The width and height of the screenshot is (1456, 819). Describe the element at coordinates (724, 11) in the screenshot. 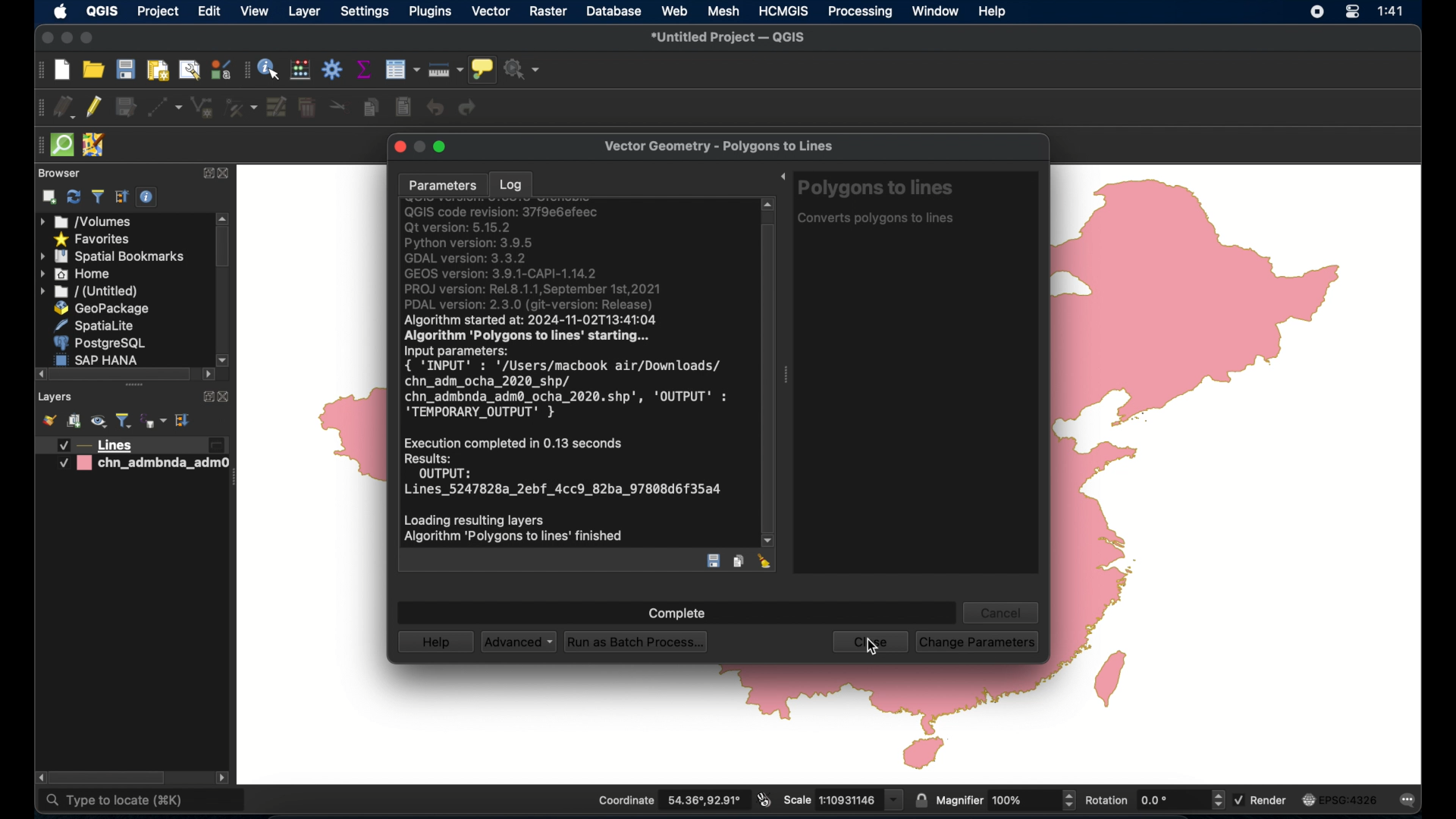

I see `mesh` at that location.